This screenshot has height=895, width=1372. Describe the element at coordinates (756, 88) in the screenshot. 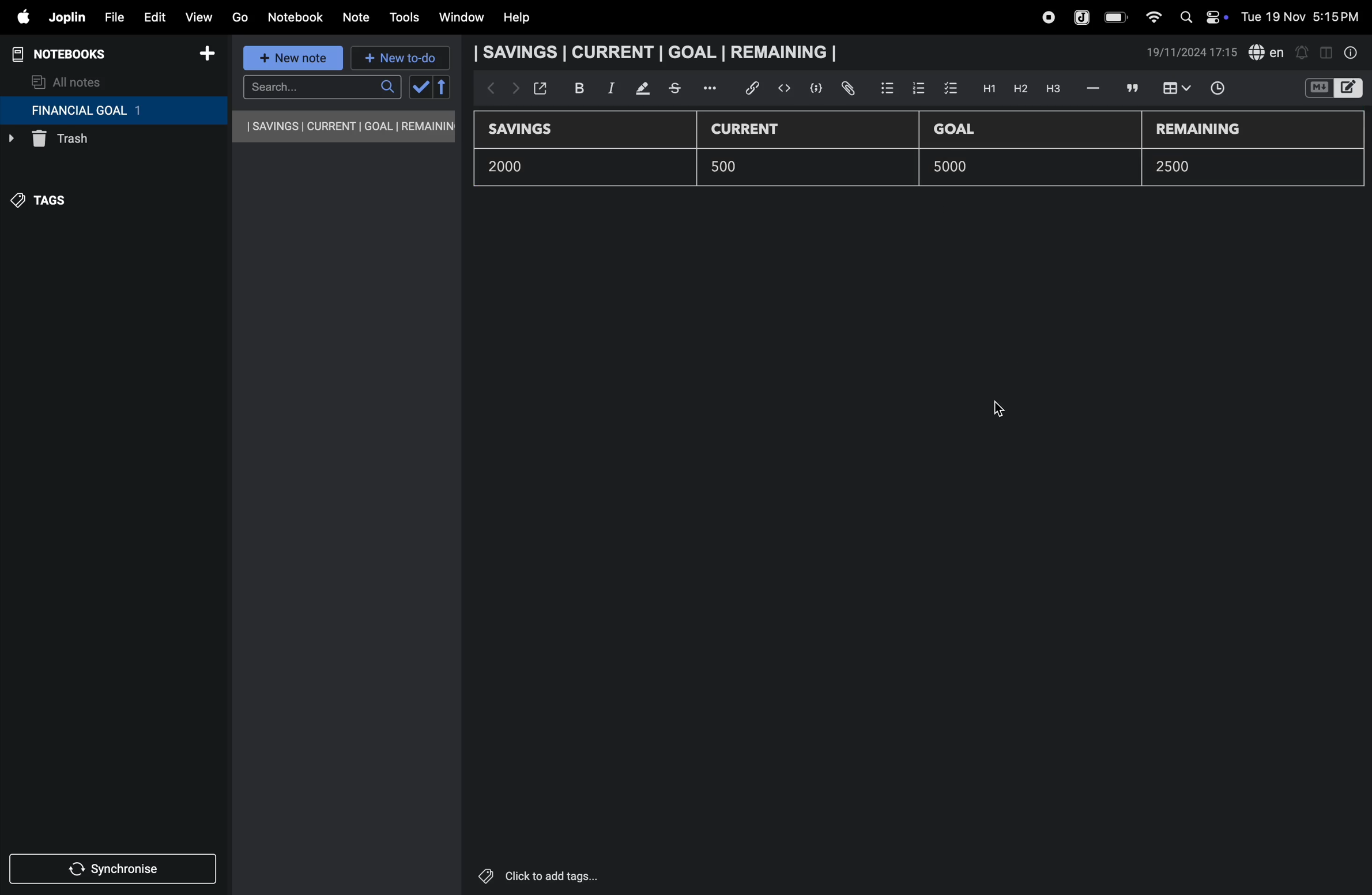

I see `hyper link` at that location.